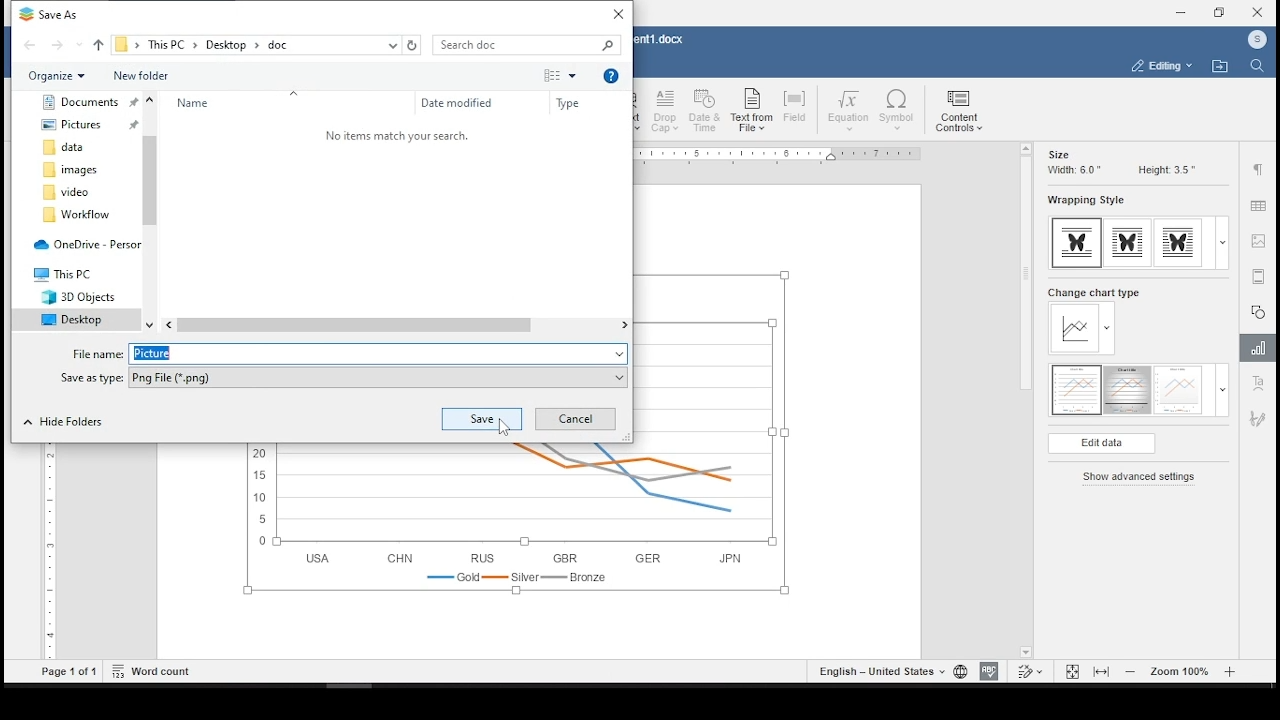 The height and width of the screenshot is (720, 1280). I want to click on No items match your search, so click(397, 136).